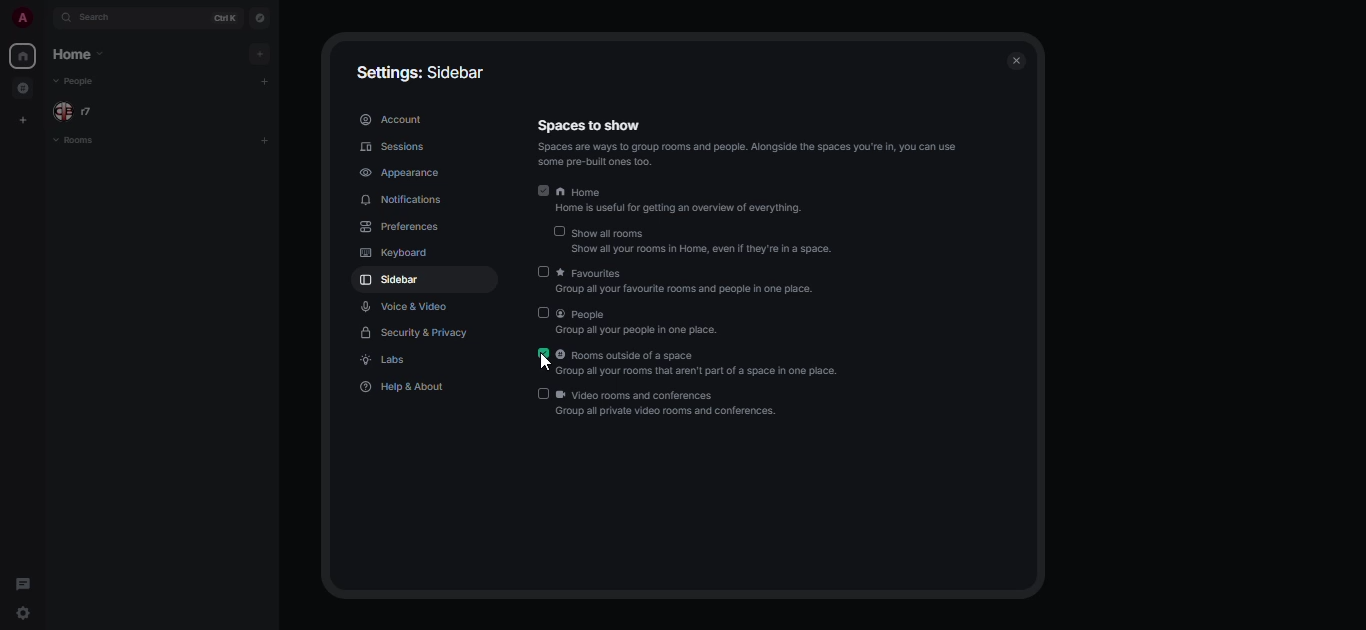  What do you see at coordinates (544, 190) in the screenshot?
I see `enabled` at bounding box center [544, 190].